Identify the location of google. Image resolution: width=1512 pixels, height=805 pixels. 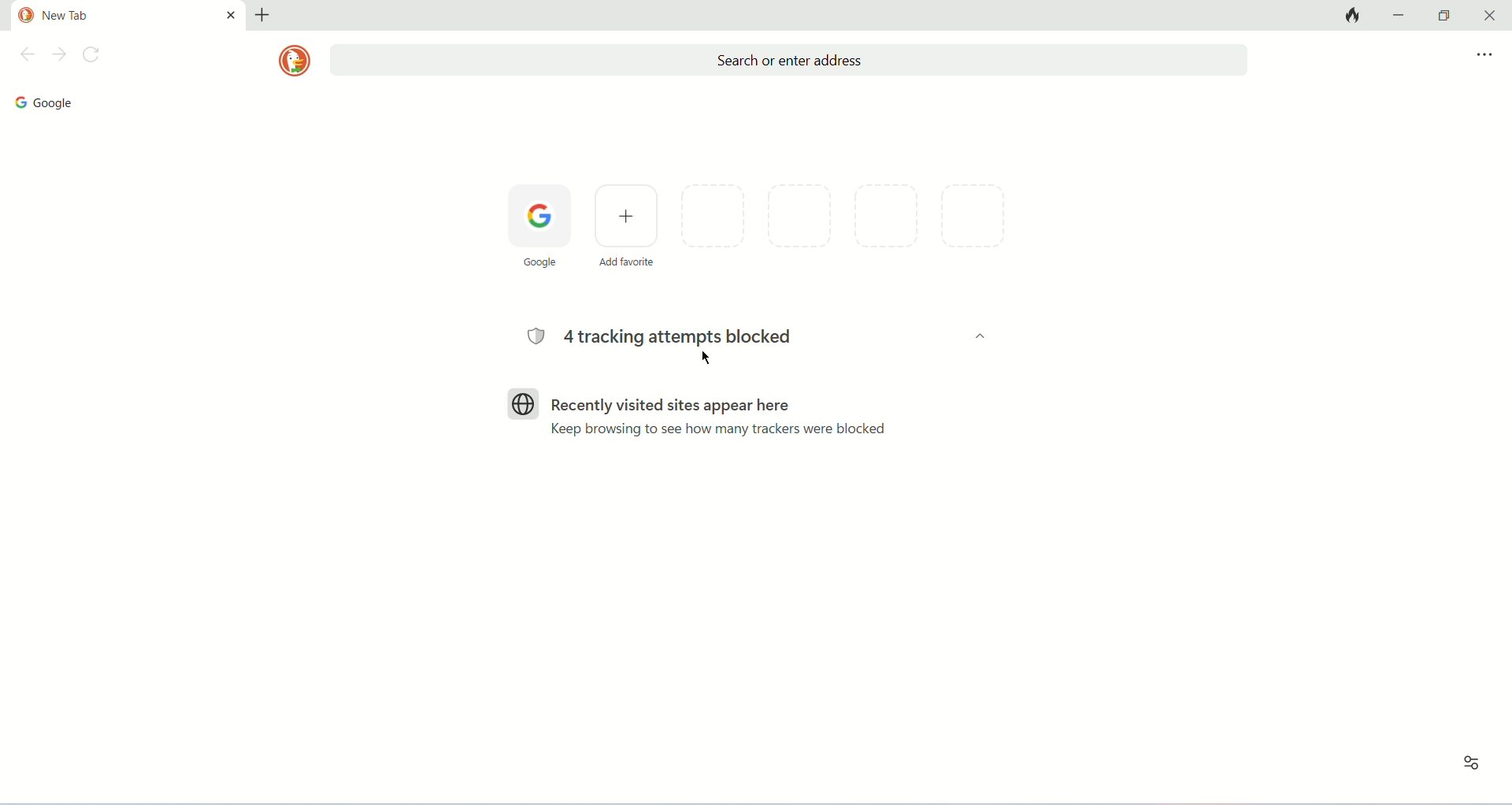
(42, 102).